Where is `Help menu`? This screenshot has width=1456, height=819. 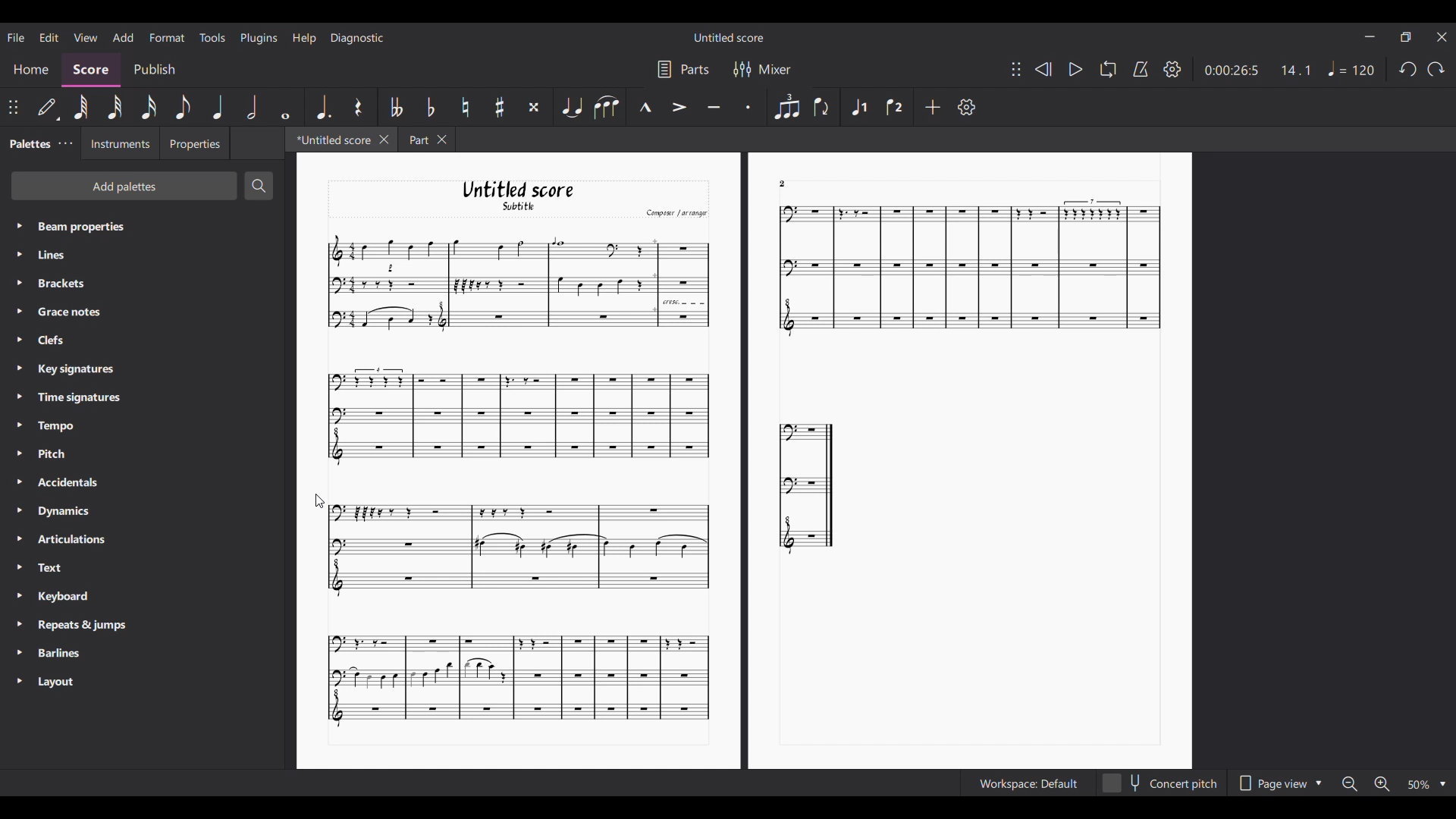 Help menu is located at coordinates (304, 38).